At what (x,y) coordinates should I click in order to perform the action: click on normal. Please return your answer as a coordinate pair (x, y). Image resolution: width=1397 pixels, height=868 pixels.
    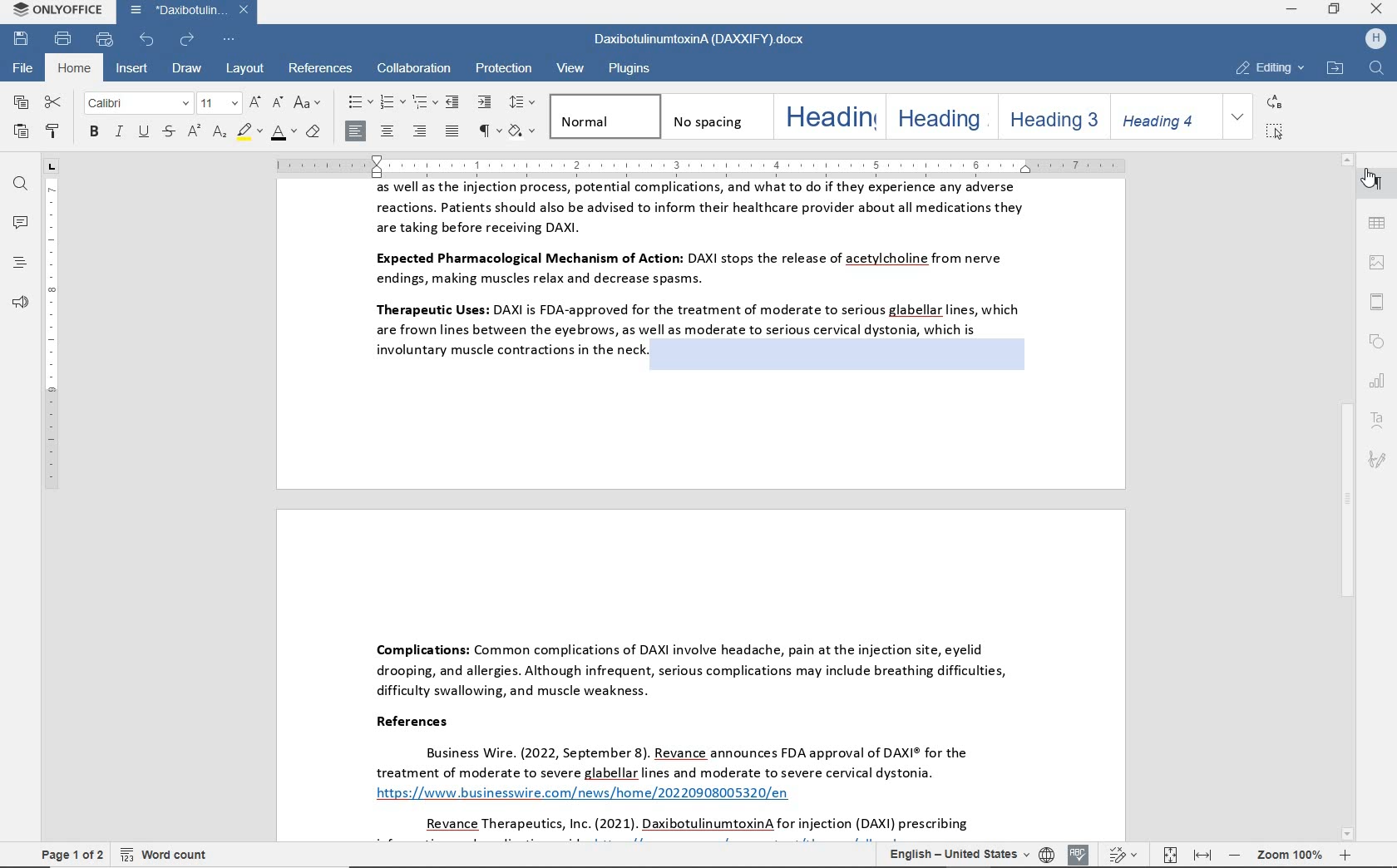
    Looking at the image, I should click on (603, 116).